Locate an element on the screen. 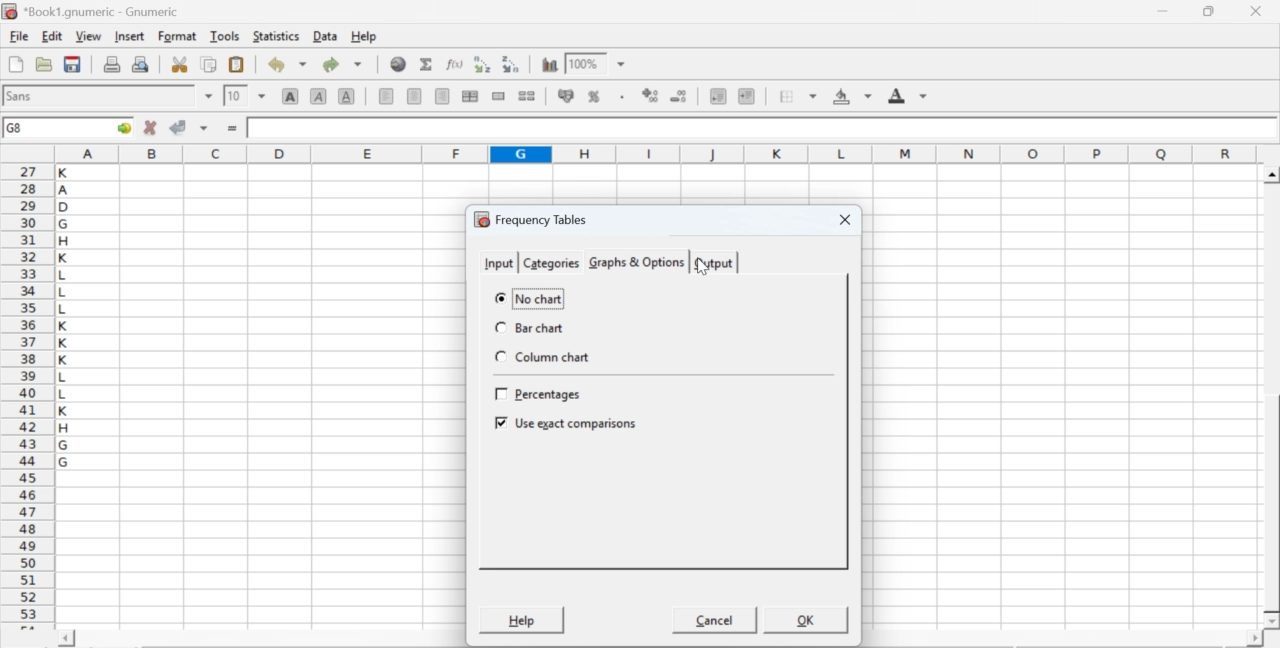 Image resolution: width=1280 pixels, height=648 pixels. output is located at coordinates (714, 263).